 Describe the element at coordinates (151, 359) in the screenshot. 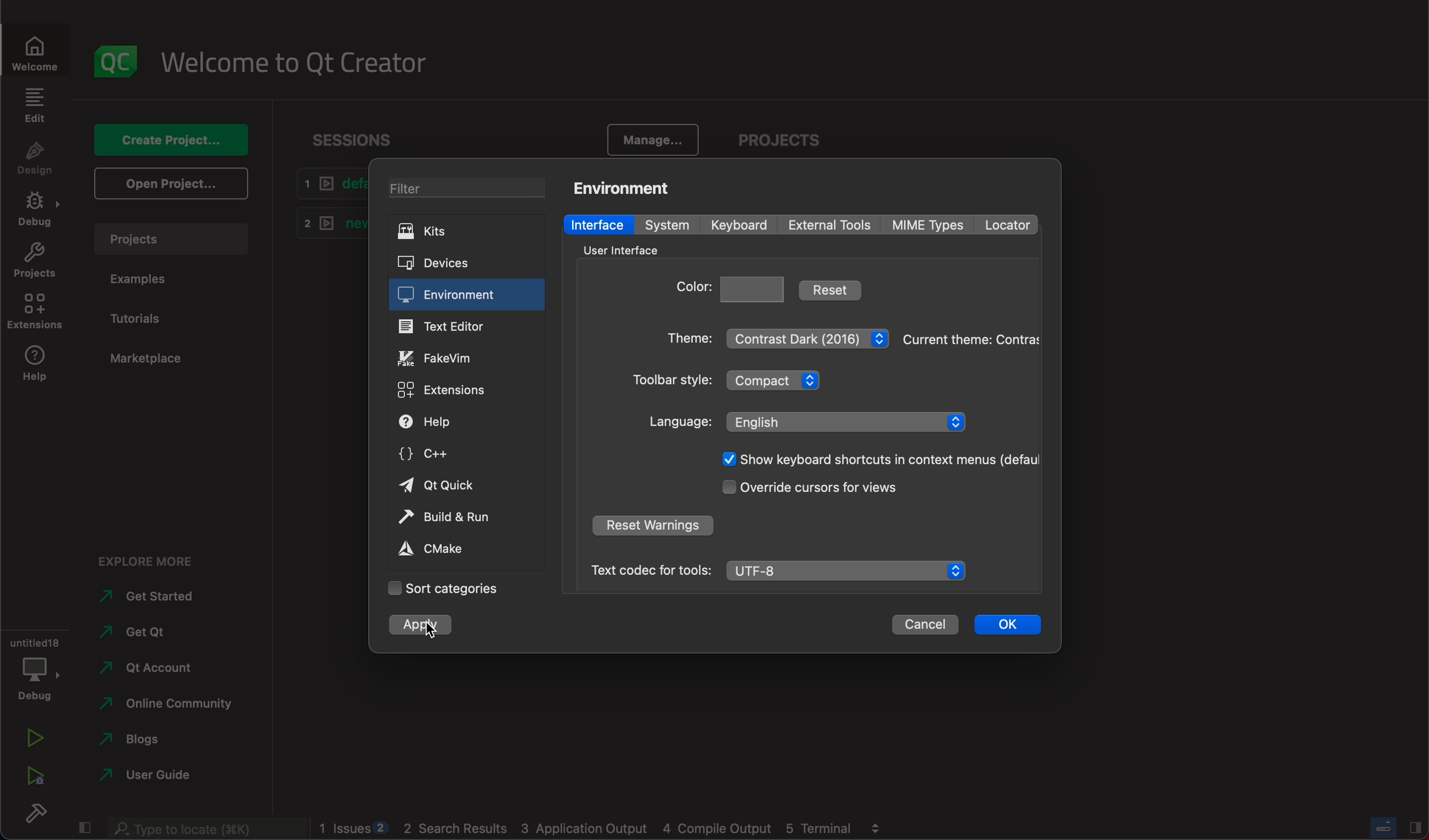

I see `marketplace` at that location.